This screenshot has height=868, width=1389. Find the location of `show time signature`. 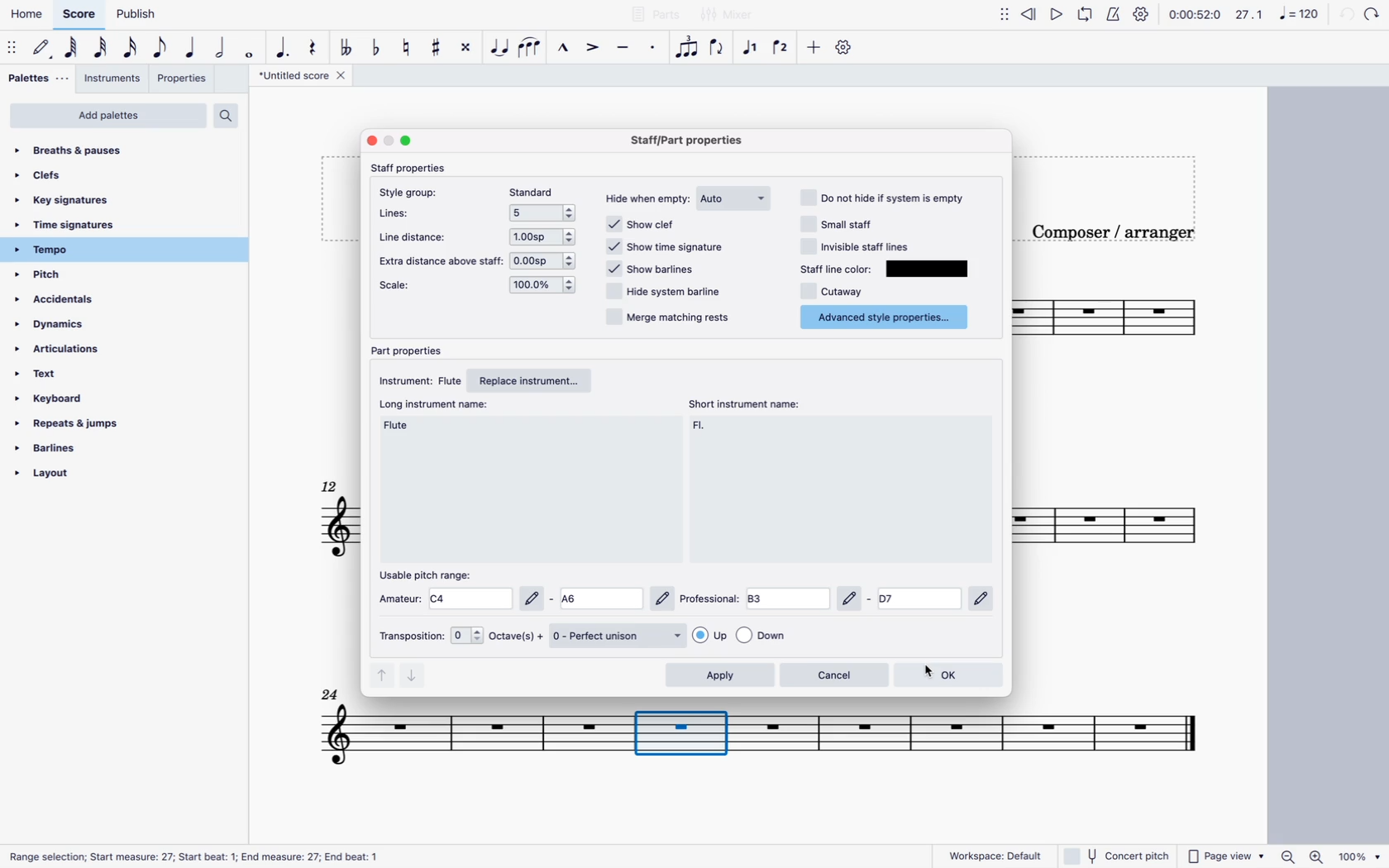

show time signature is located at coordinates (664, 247).